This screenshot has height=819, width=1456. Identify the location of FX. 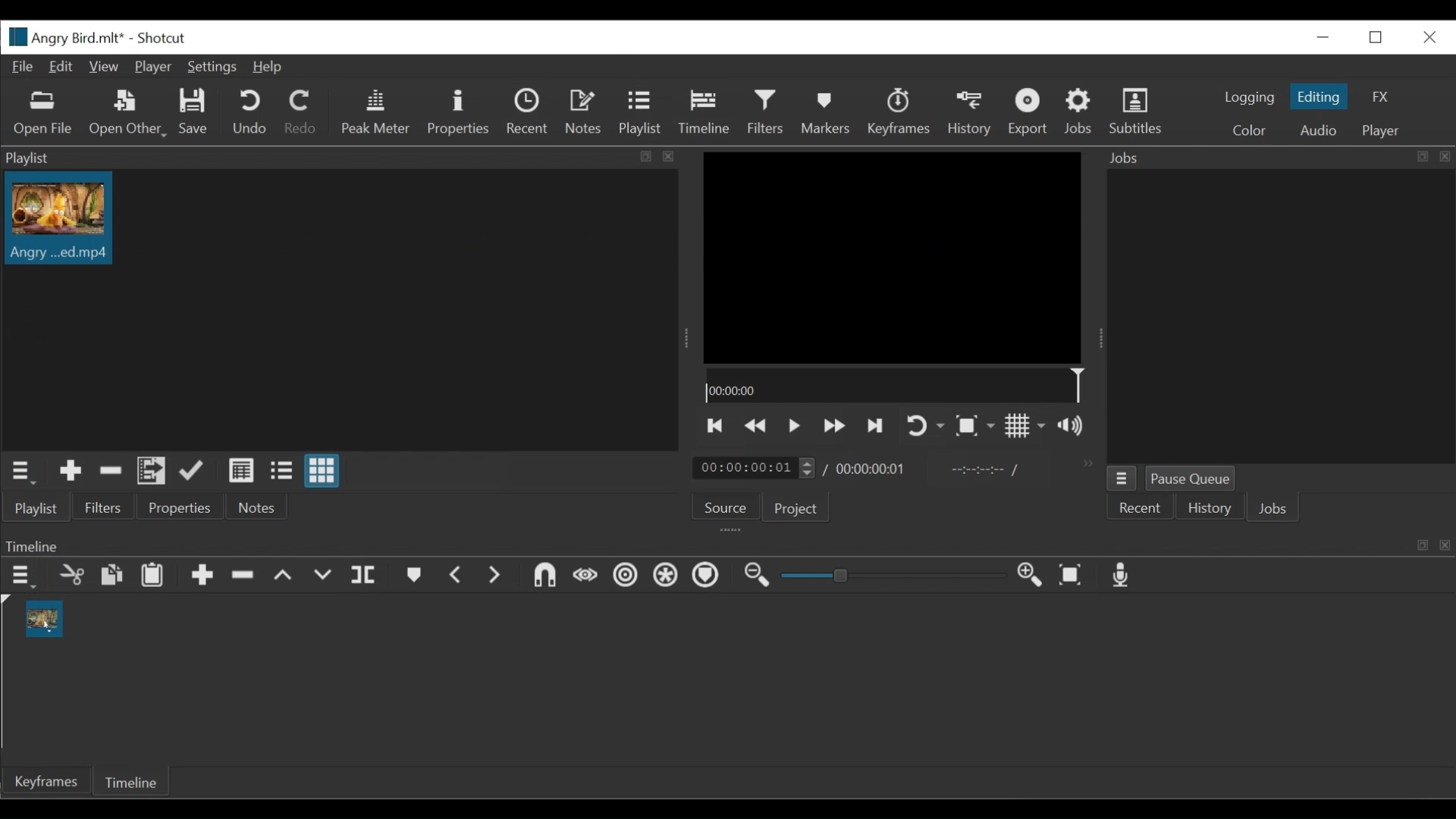
(1385, 99).